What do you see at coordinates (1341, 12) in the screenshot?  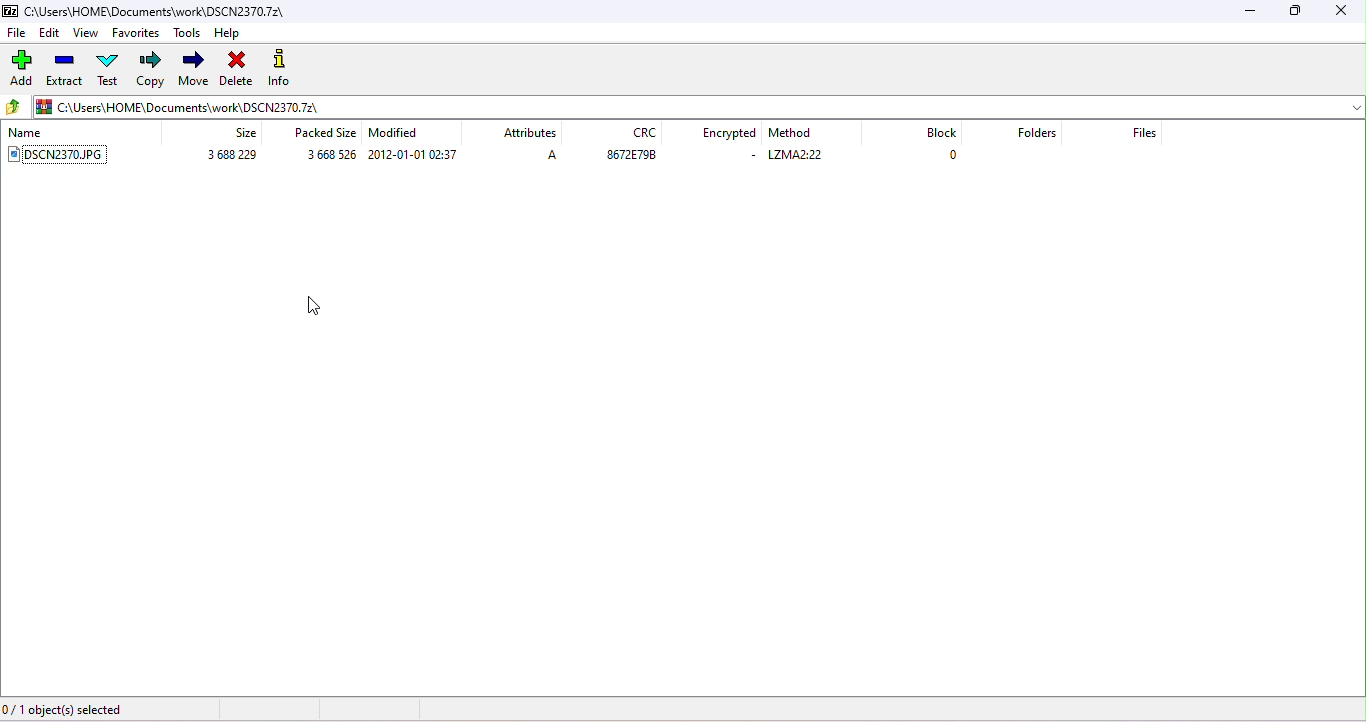 I see `close` at bounding box center [1341, 12].